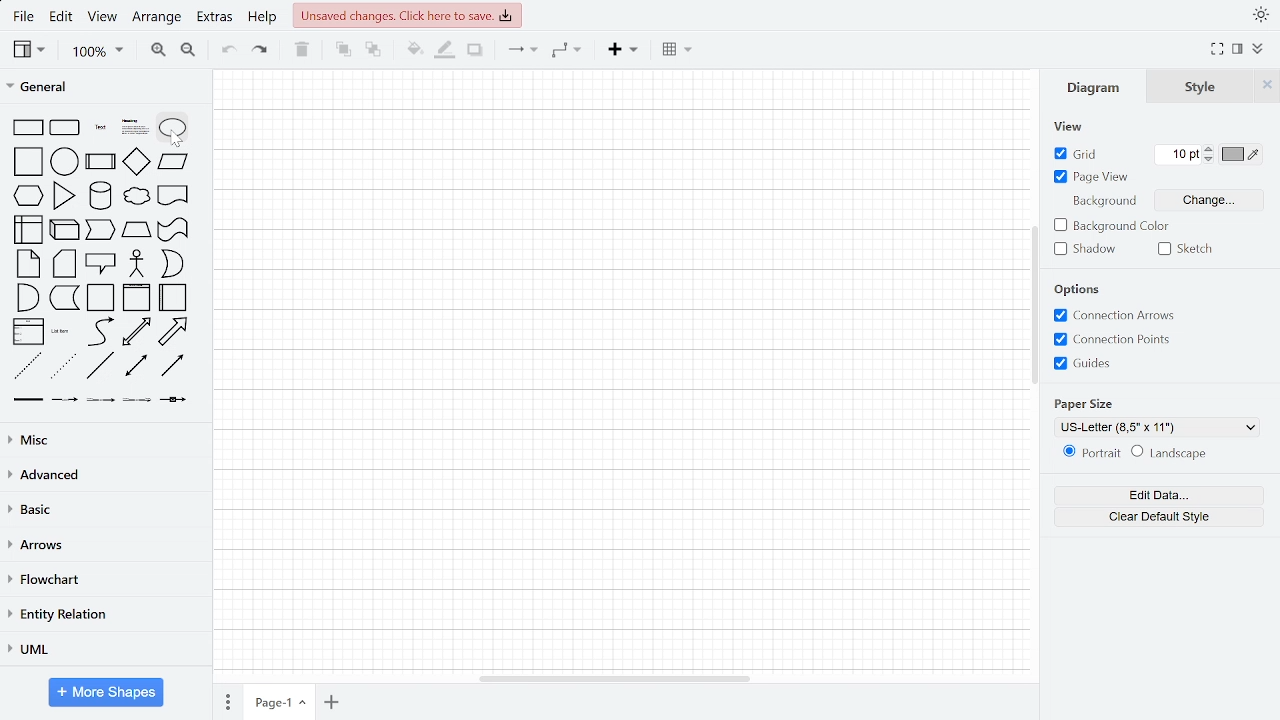 The height and width of the screenshot is (720, 1280). Describe the element at coordinates (64, 163) in the screenshot. I see `circle` at that location.